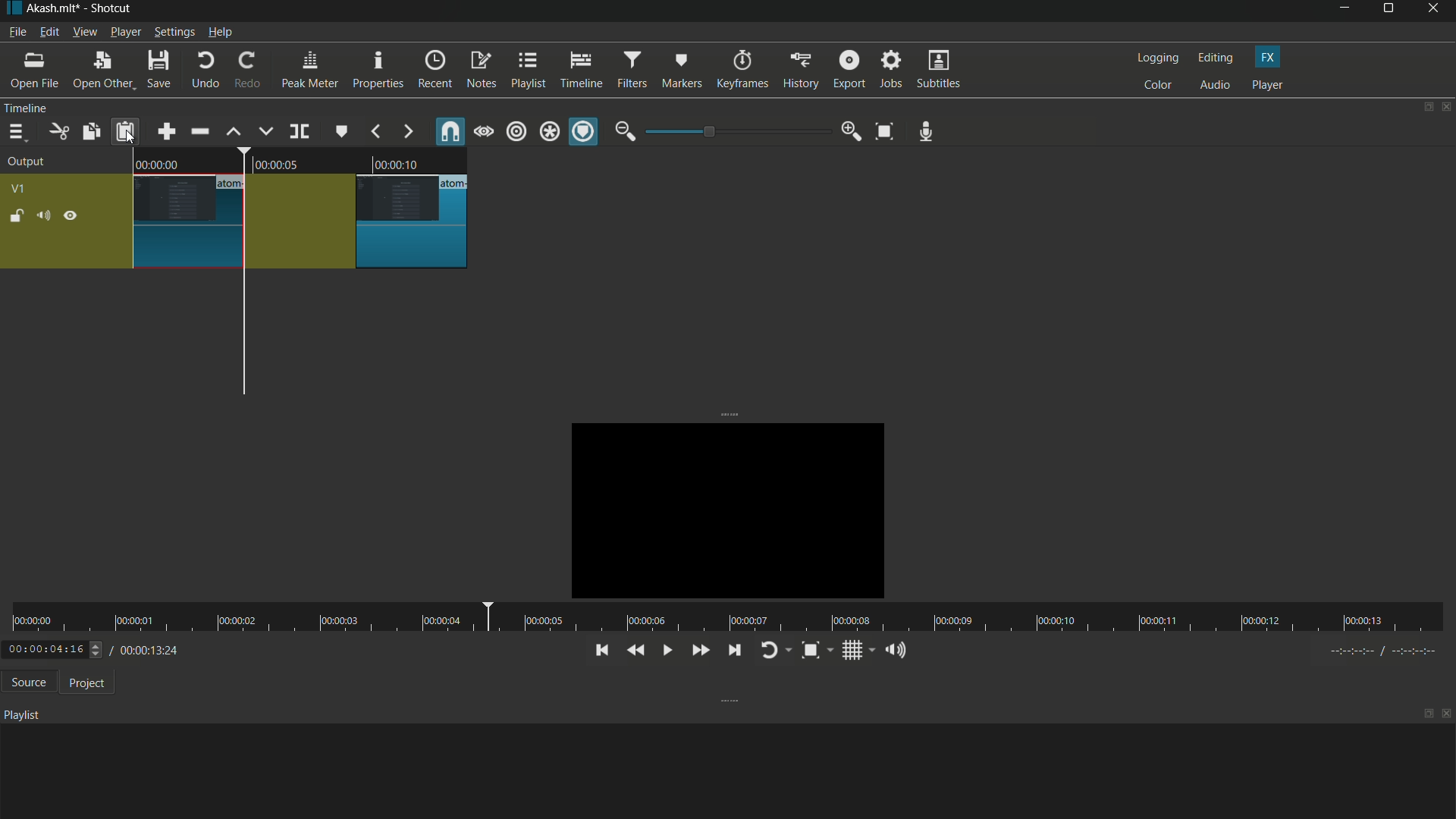 Image resolution: width=1456 pixels, height=819 pixels. I want to click on split as playhead, so click(298, 132).